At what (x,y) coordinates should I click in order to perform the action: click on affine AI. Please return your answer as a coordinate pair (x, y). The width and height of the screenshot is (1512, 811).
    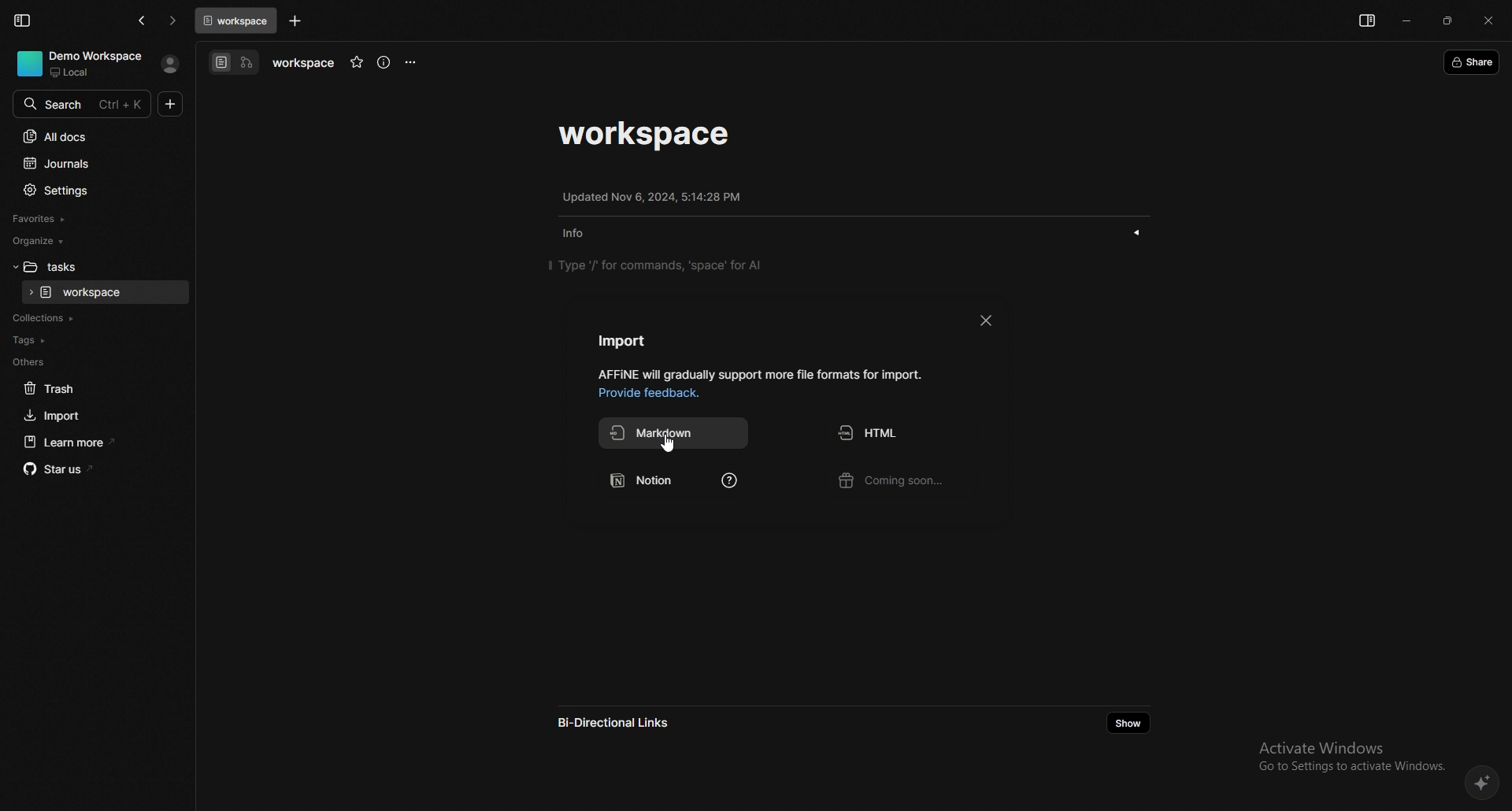
    Looking at the image, I should click on (1483, 782).